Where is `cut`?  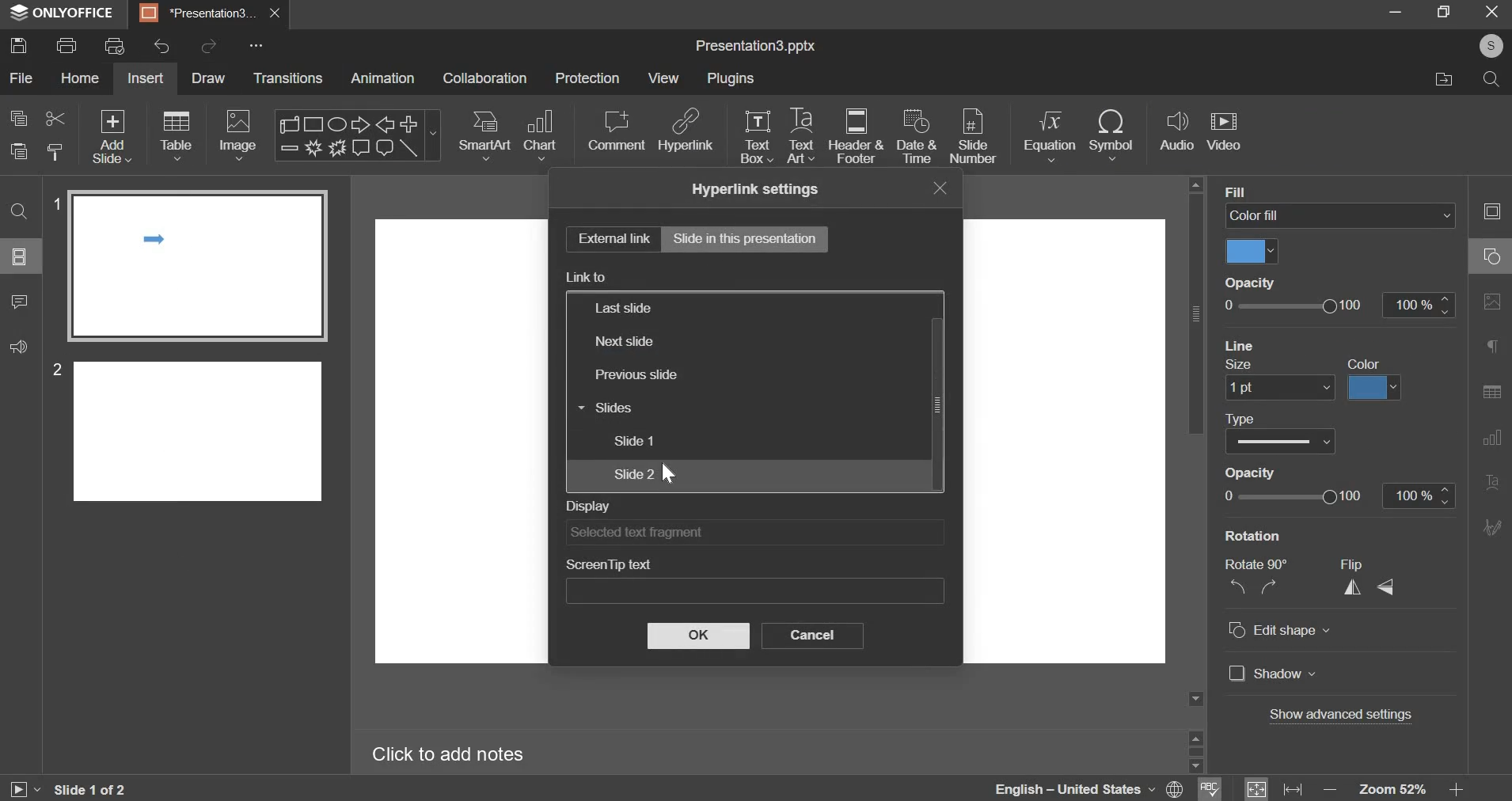 cut is located at coordinates (56, 119).